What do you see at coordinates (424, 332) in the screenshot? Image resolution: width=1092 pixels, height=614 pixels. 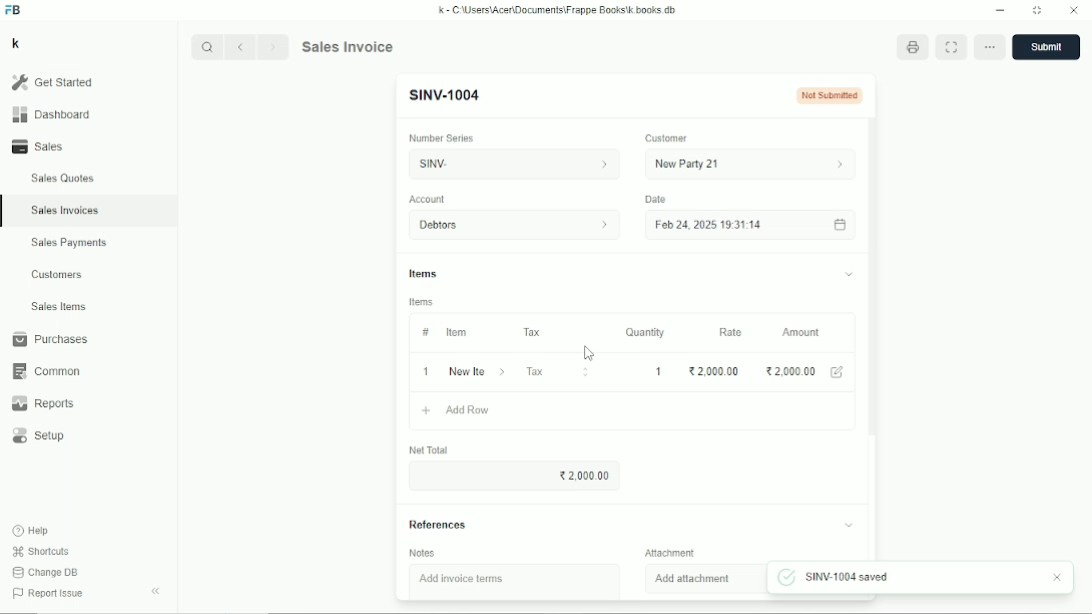 I see `#` at bounding box center [424, 332].